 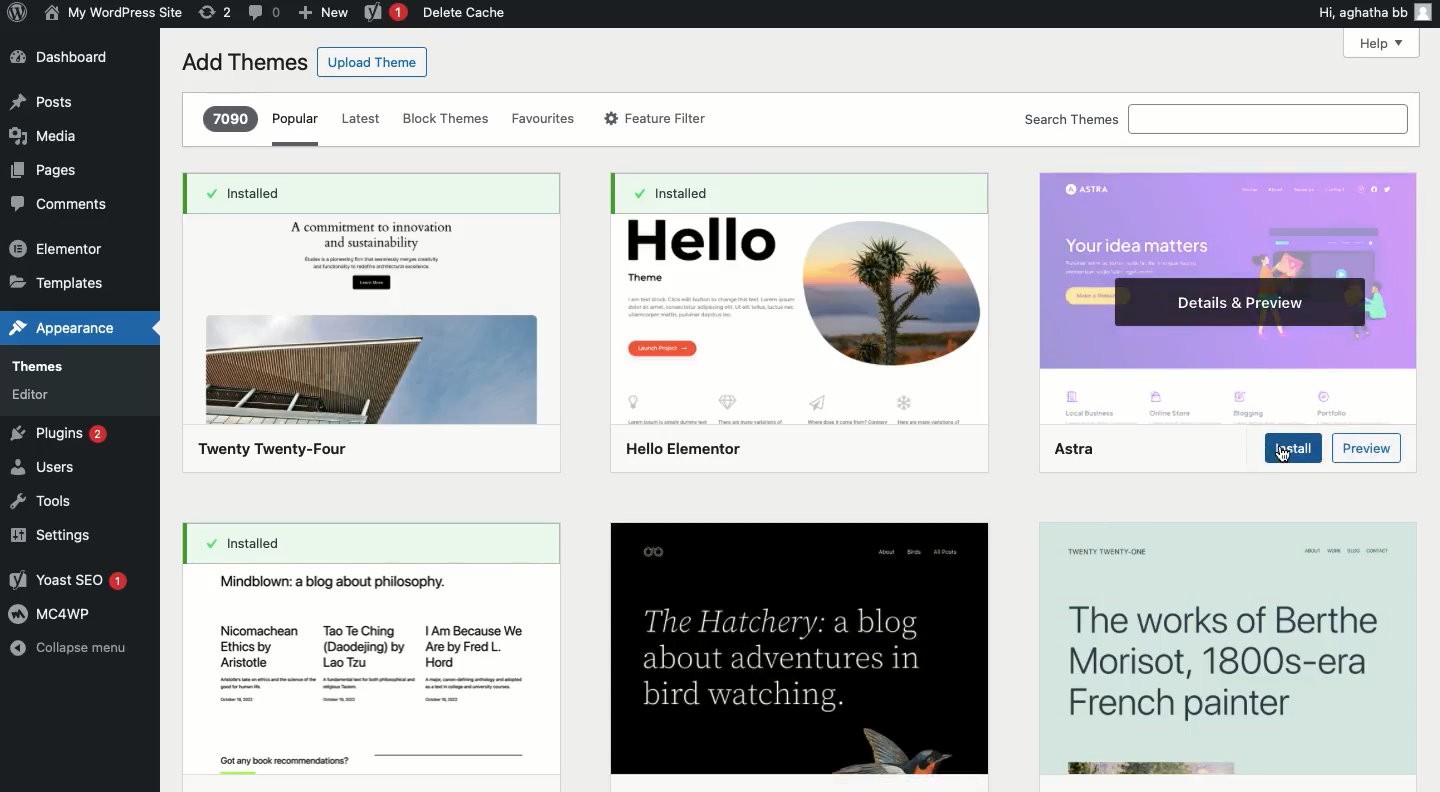 What do you see at coordinates (799, 649) in the screenshot?
I see `The Hatchery: a blogabout adventures inbird watching.` at bounding box center [799, 649].